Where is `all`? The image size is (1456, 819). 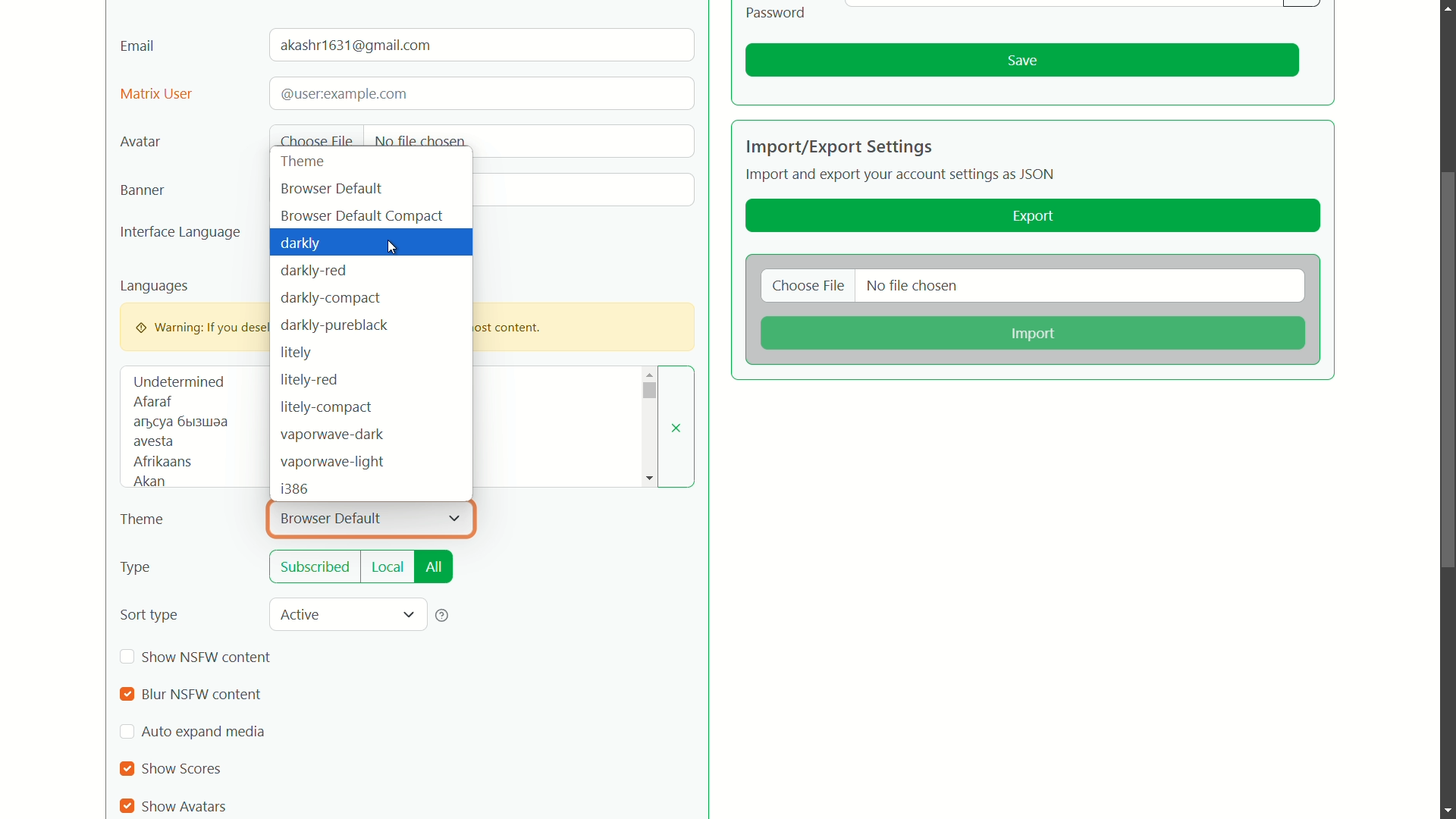
all is located at coordinates (434, 567).